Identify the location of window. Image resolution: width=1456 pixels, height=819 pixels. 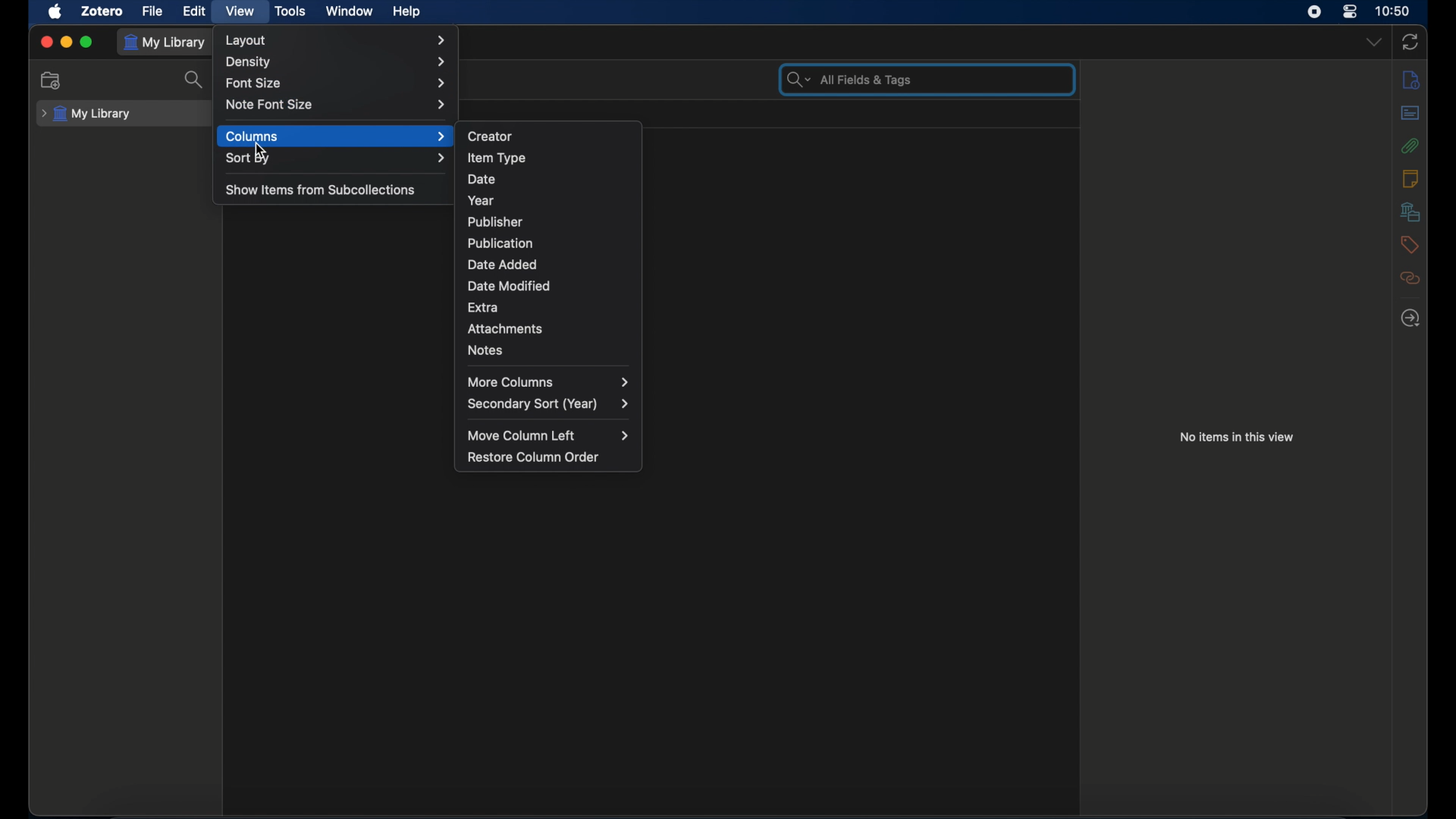
(350, 11).